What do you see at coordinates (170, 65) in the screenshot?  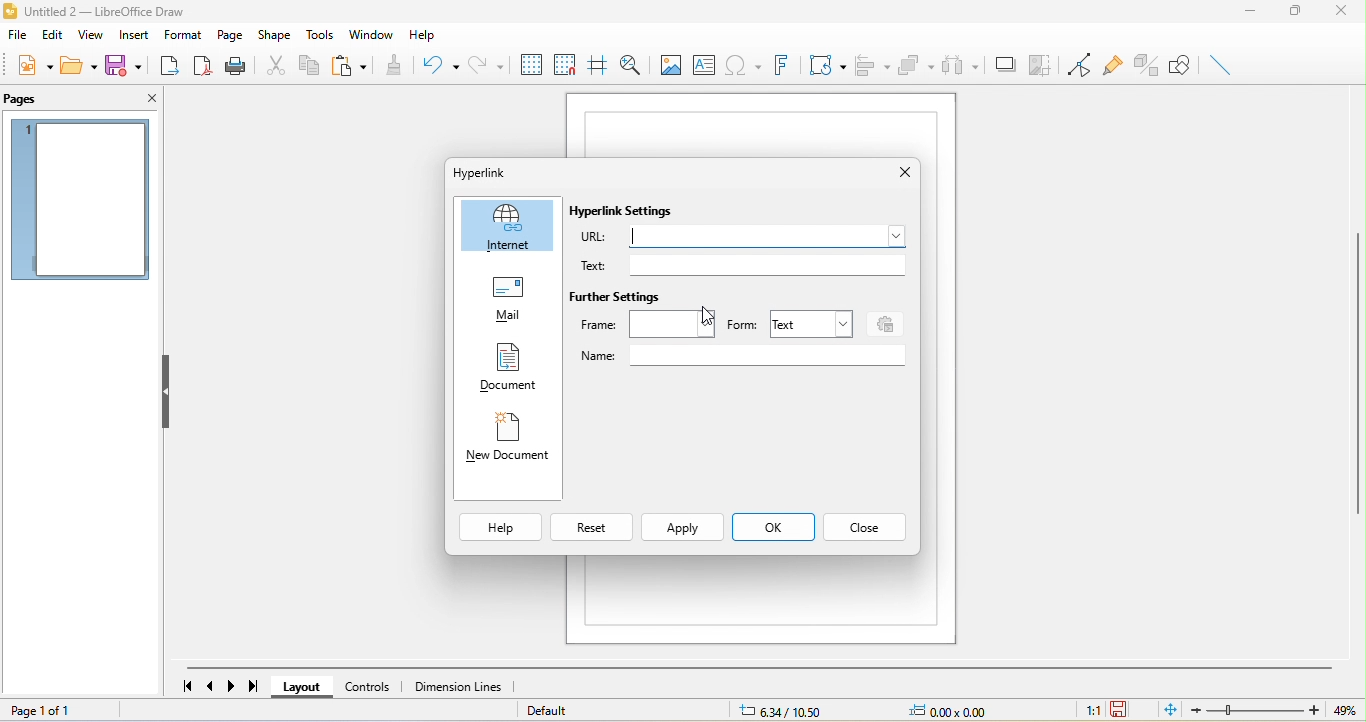 I see `export` at bounding box center [170, 65].